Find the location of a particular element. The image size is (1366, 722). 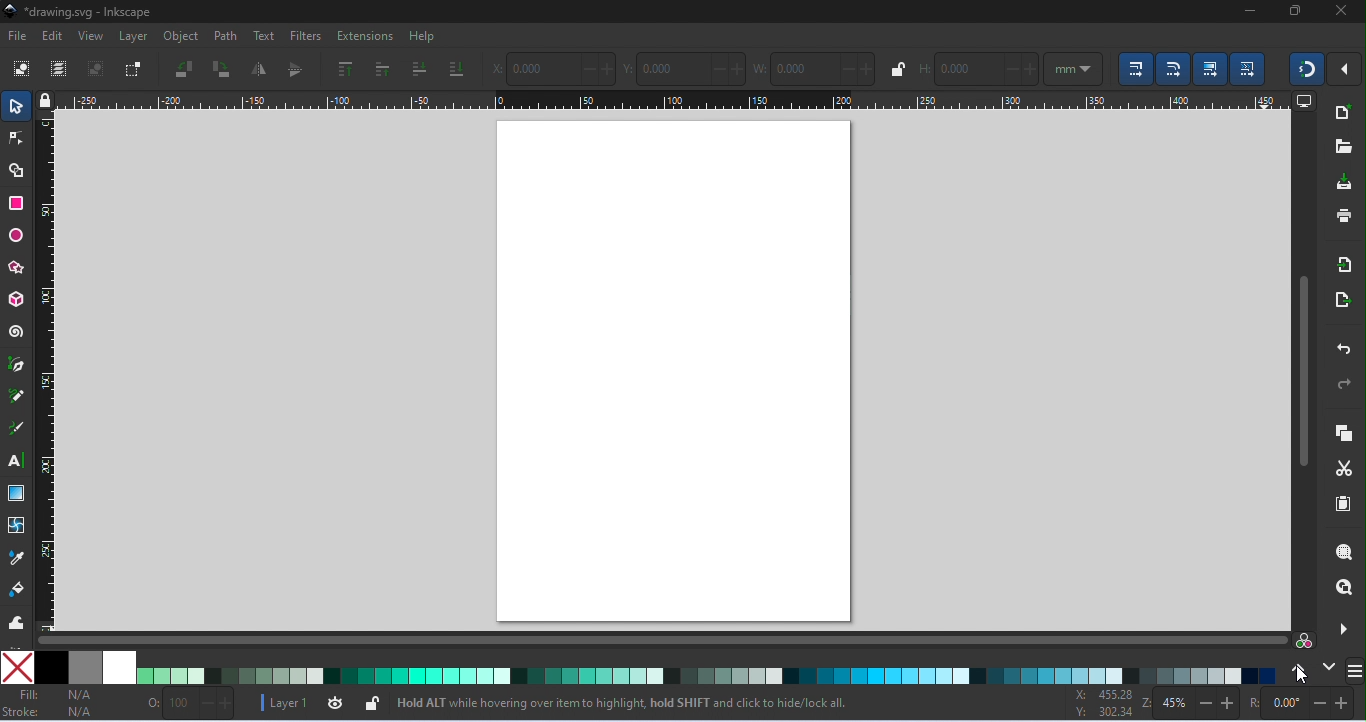

fill is located at coordinates (58, 694).